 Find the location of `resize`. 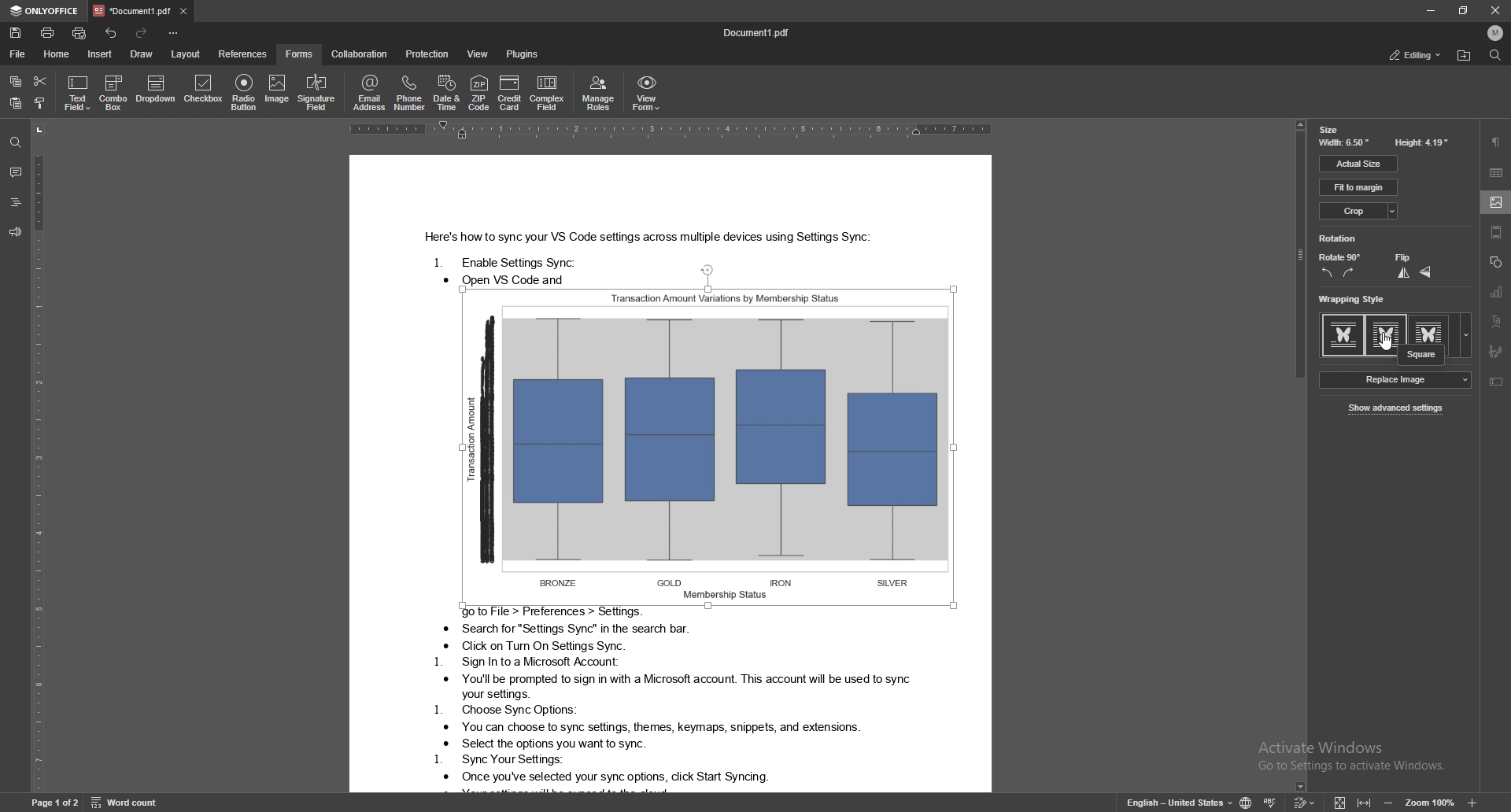

resize is located at coordinates (1463, 10).